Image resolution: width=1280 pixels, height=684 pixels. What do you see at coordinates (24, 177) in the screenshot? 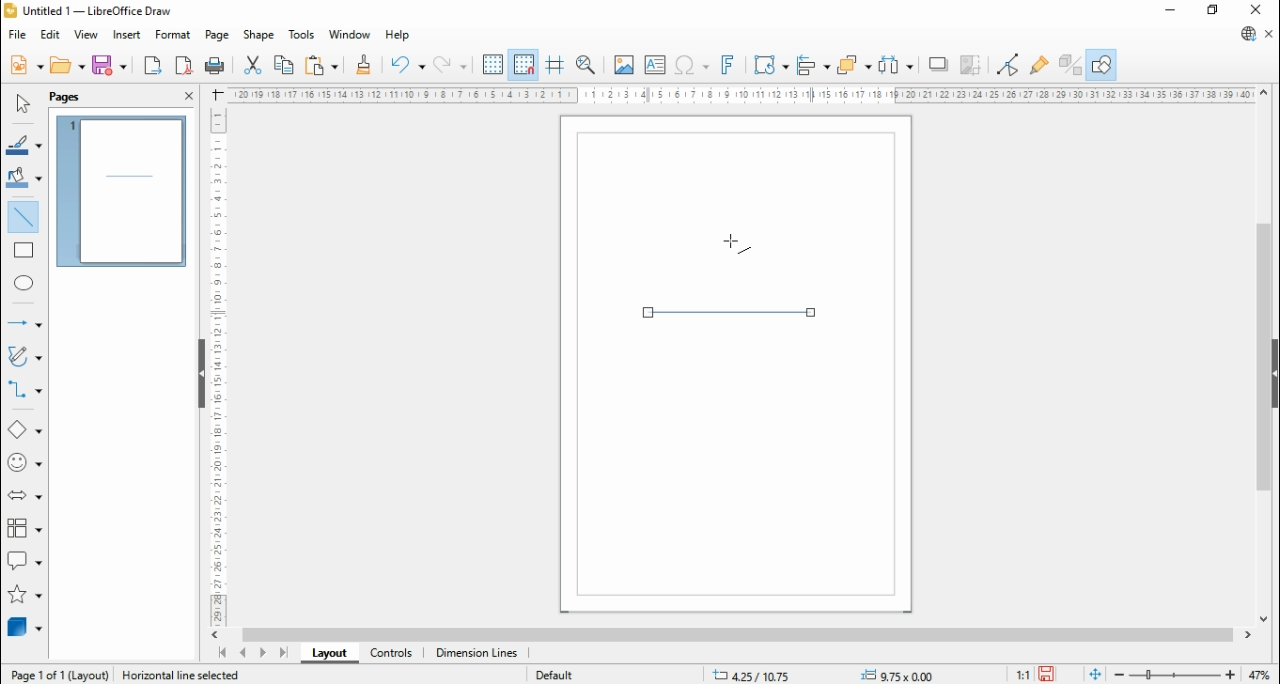
I see `fill color` at bounding box center [24, 177].